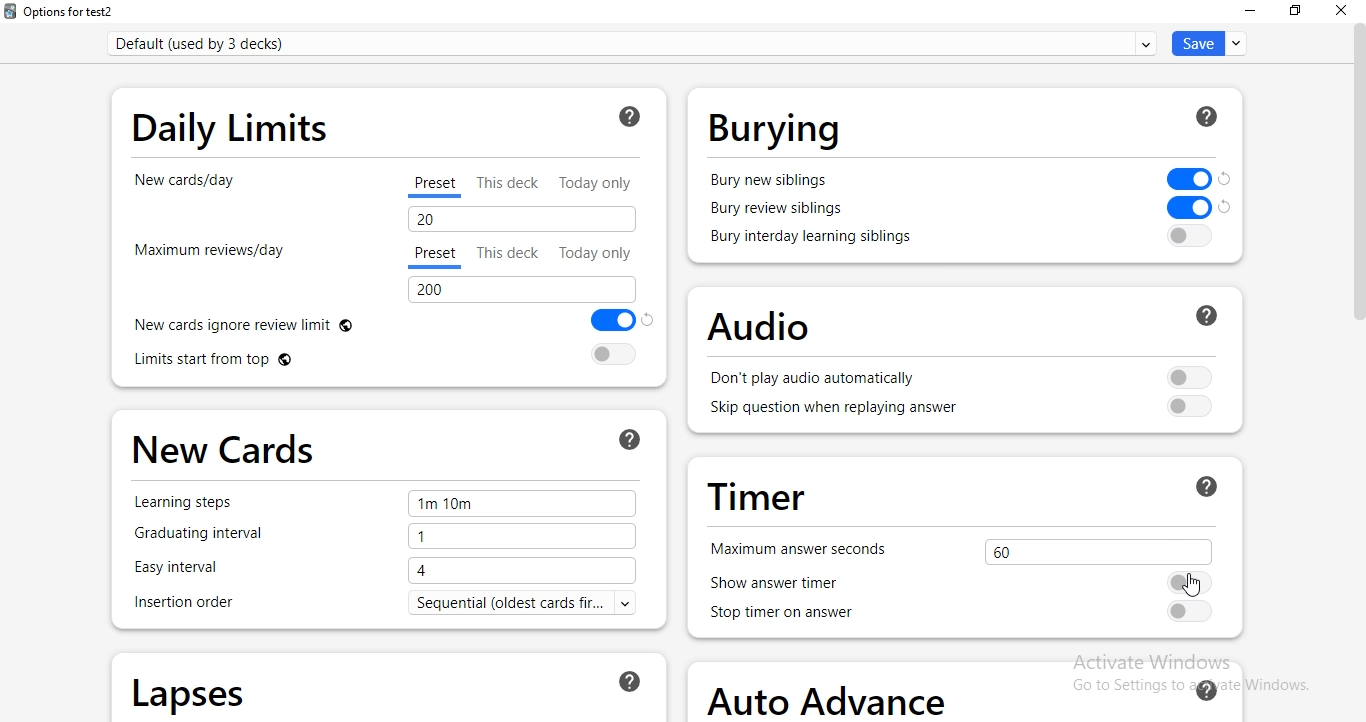  Describe the element at coordinates (964, 209) in the screenshot. I see `bury new siblings` at that location.